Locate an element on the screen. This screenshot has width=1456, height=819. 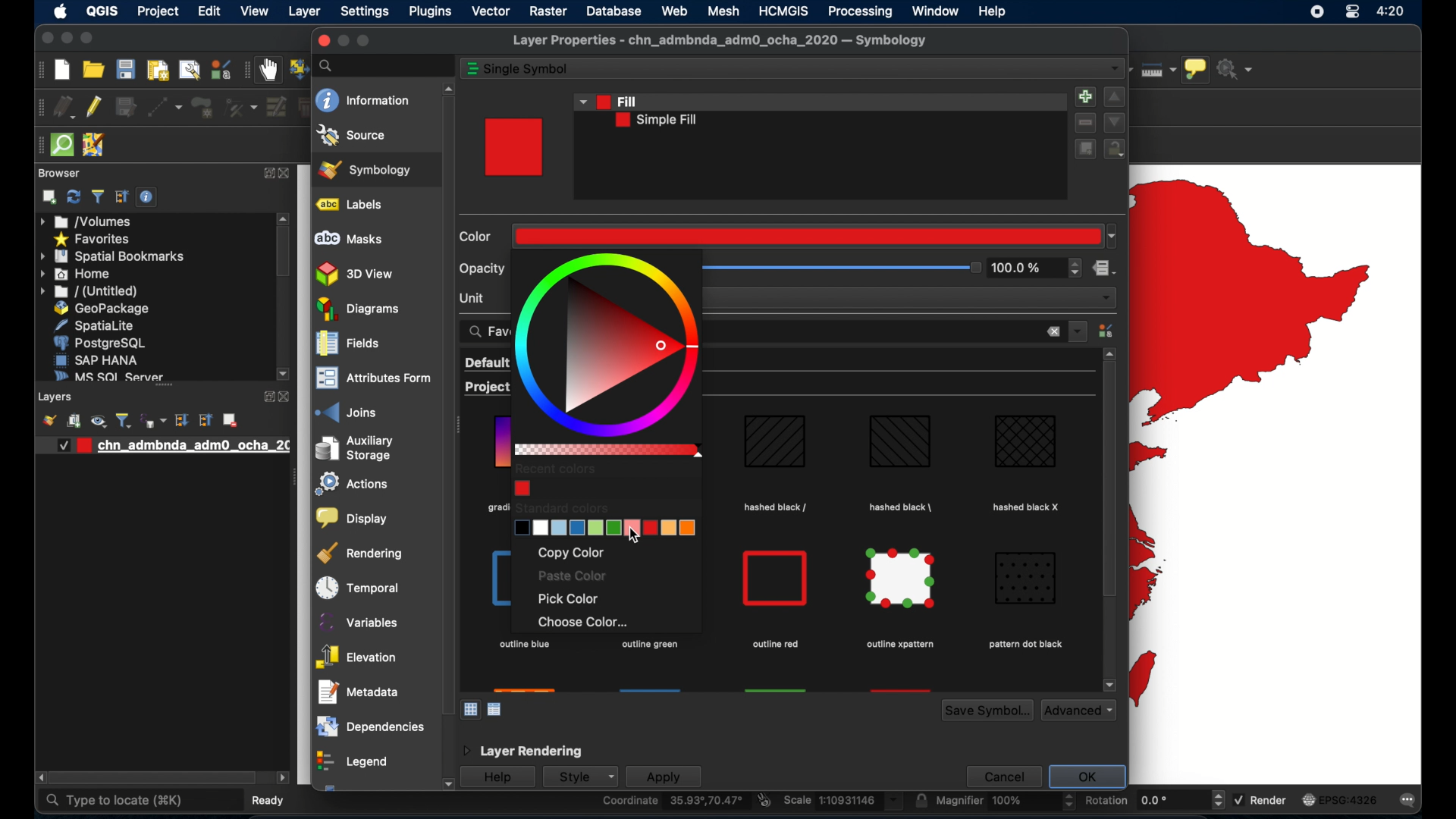
window is located at coordinates (937, 11).